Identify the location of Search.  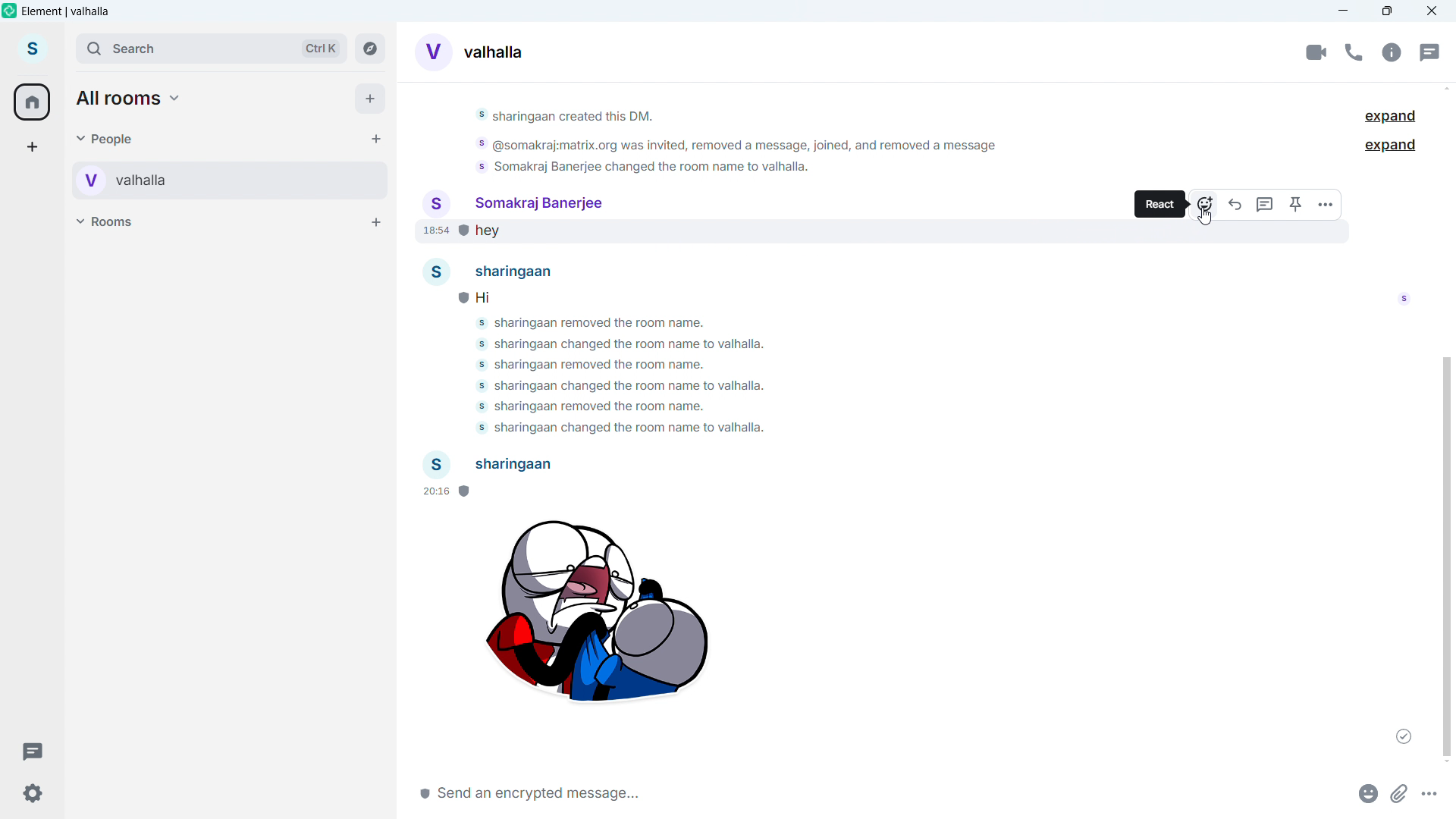
(211, 49).